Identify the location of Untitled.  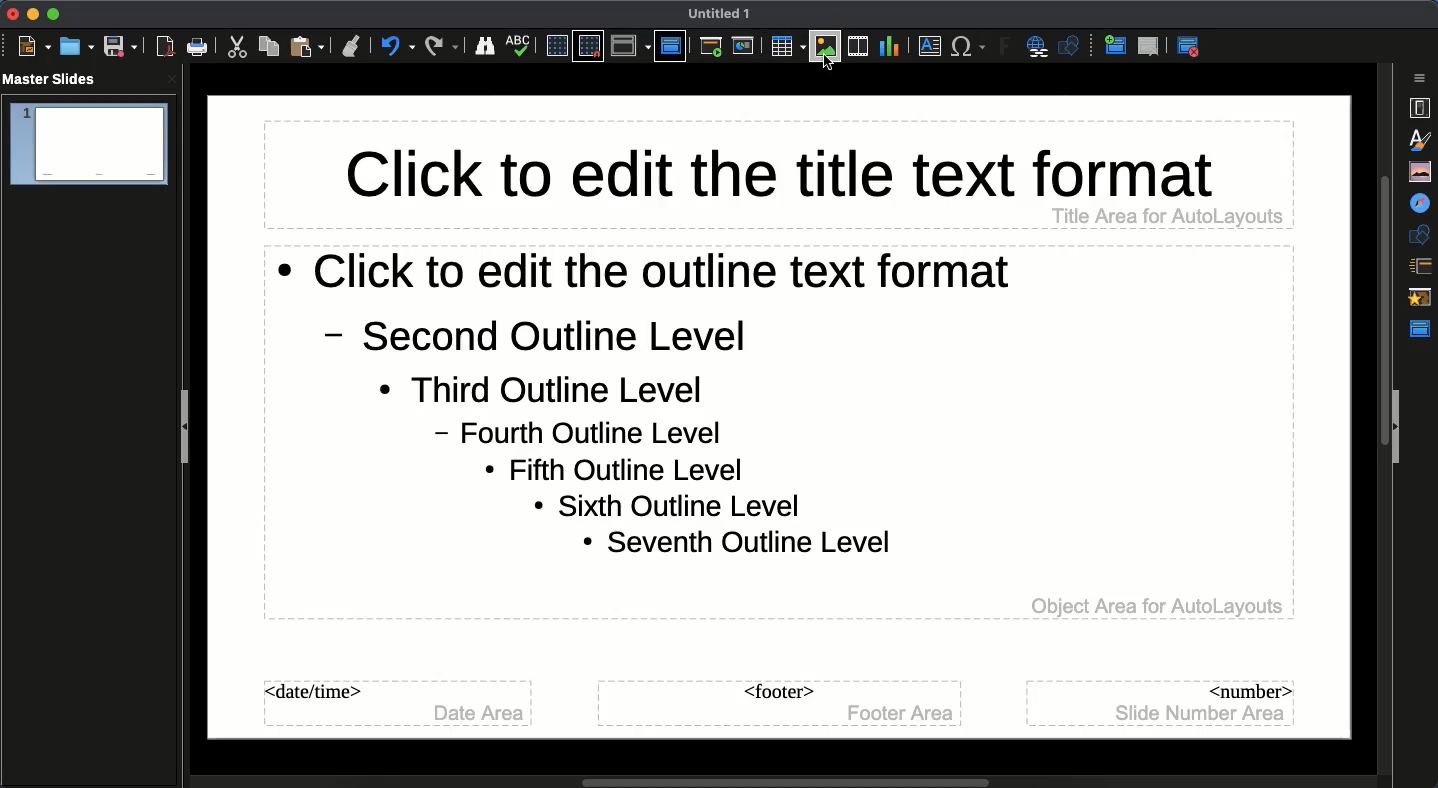
(720, 14).